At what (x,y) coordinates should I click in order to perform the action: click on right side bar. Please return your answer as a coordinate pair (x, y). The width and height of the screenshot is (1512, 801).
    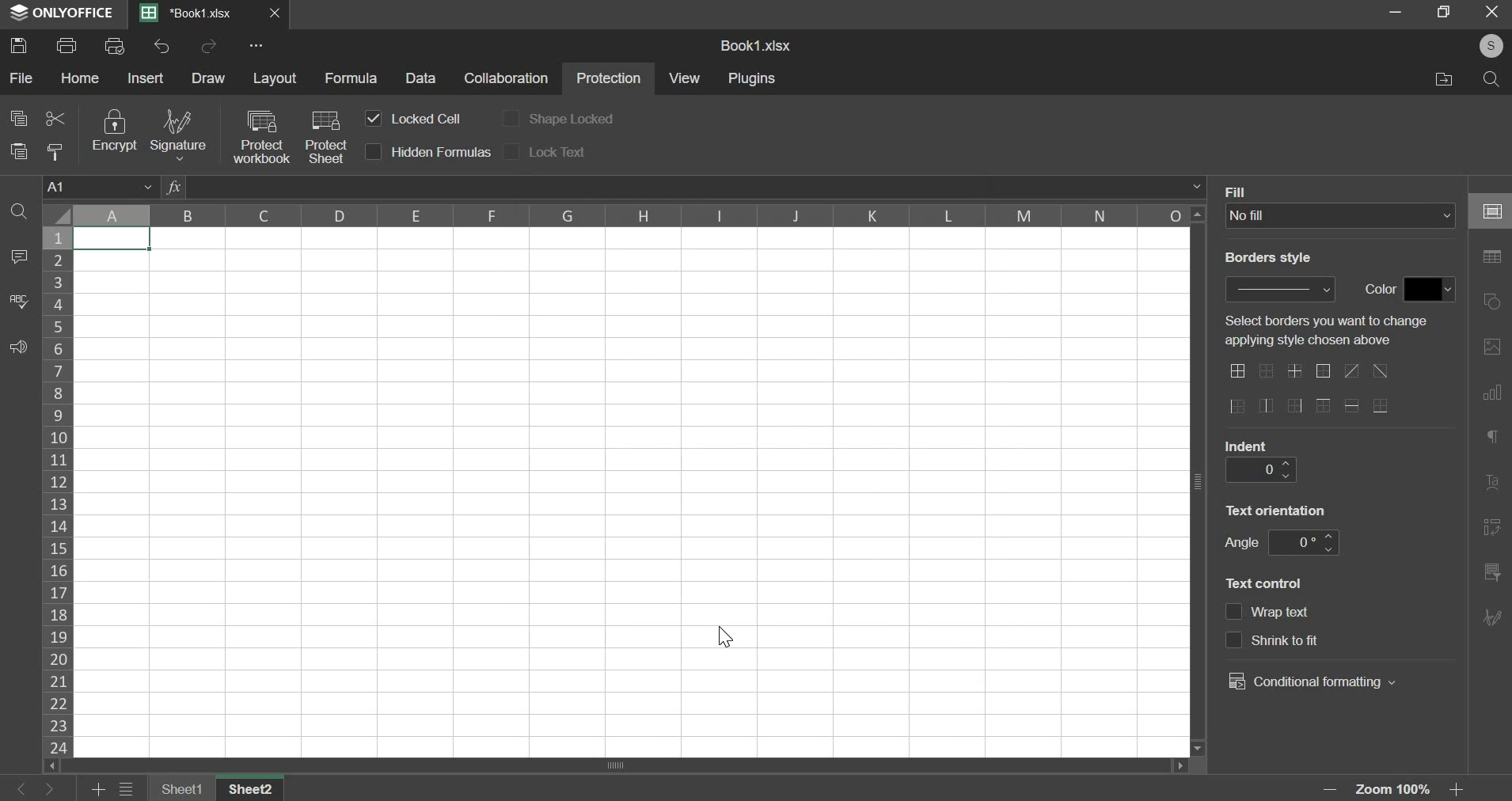
    Looking at the image, I should click on (1492, 302).